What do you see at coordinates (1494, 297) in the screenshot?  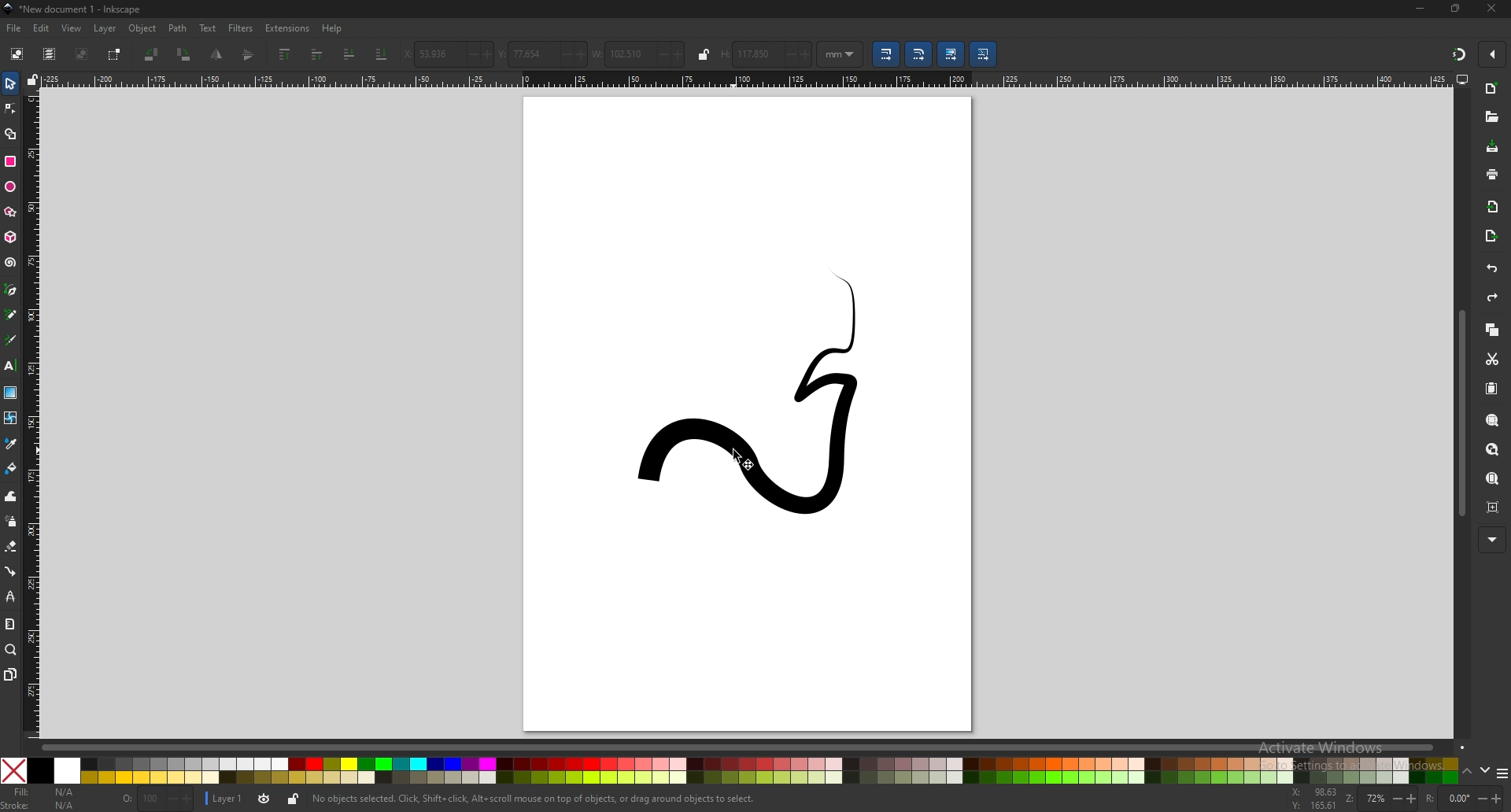 I see `redo` at bounding box center [1494, 297].